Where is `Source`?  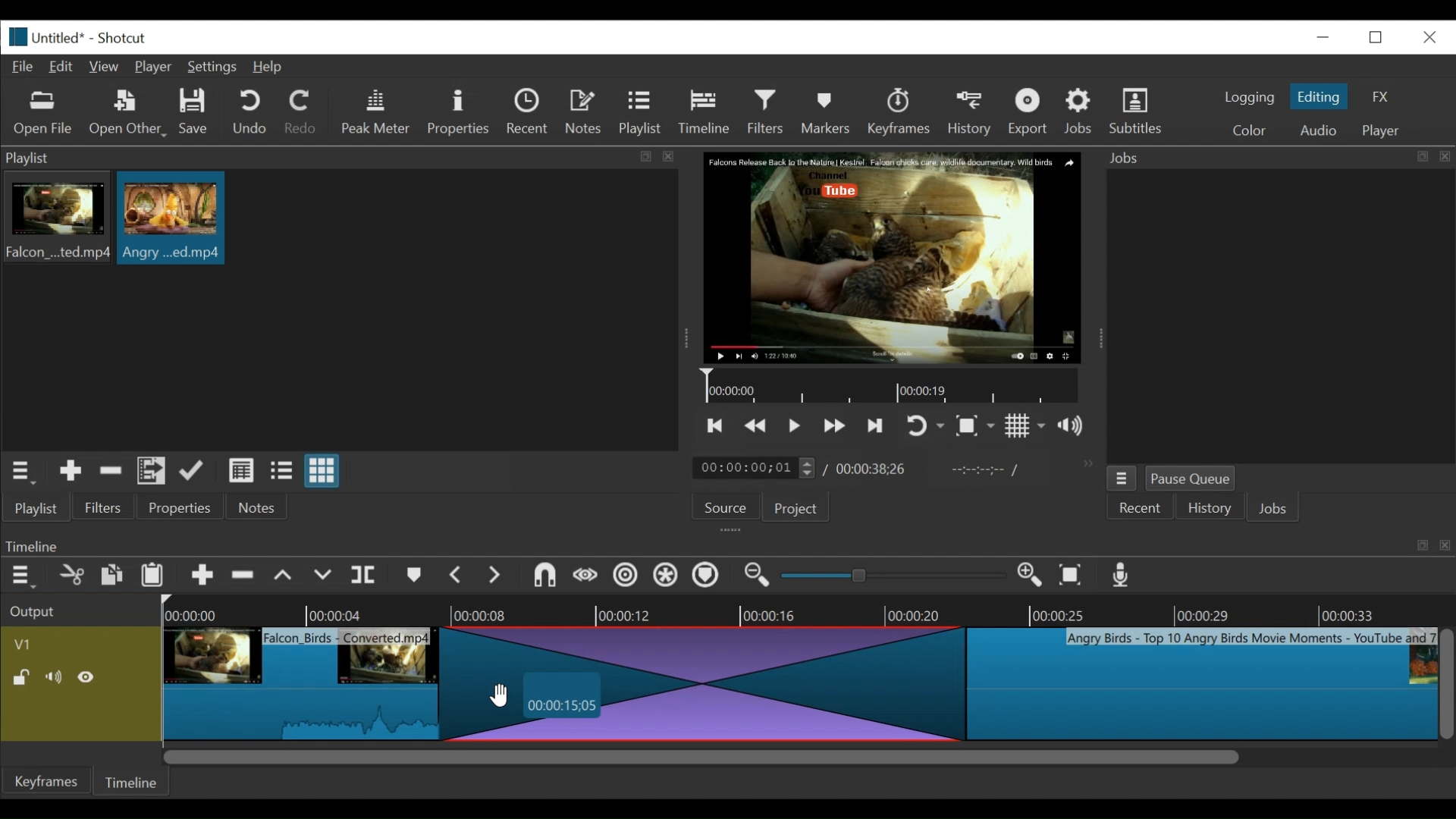
Source is located at coordinates (720, 510).